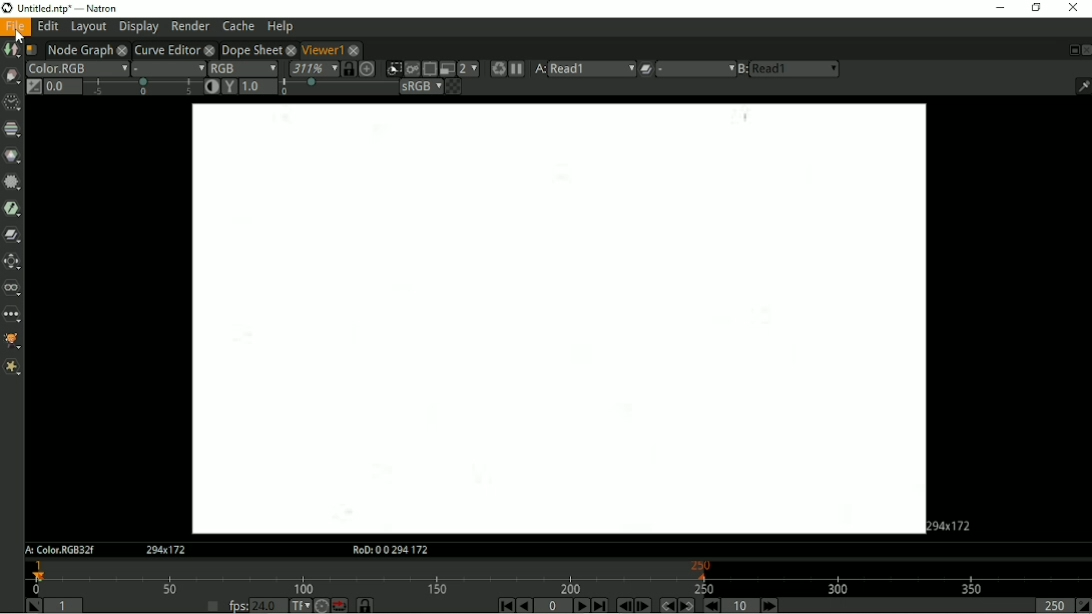 This screenshot has width=1092, height=614. What do you see at coordinates (643, 606) in the screenshot?
I see `Next frame` at bounding box center [643, 606].